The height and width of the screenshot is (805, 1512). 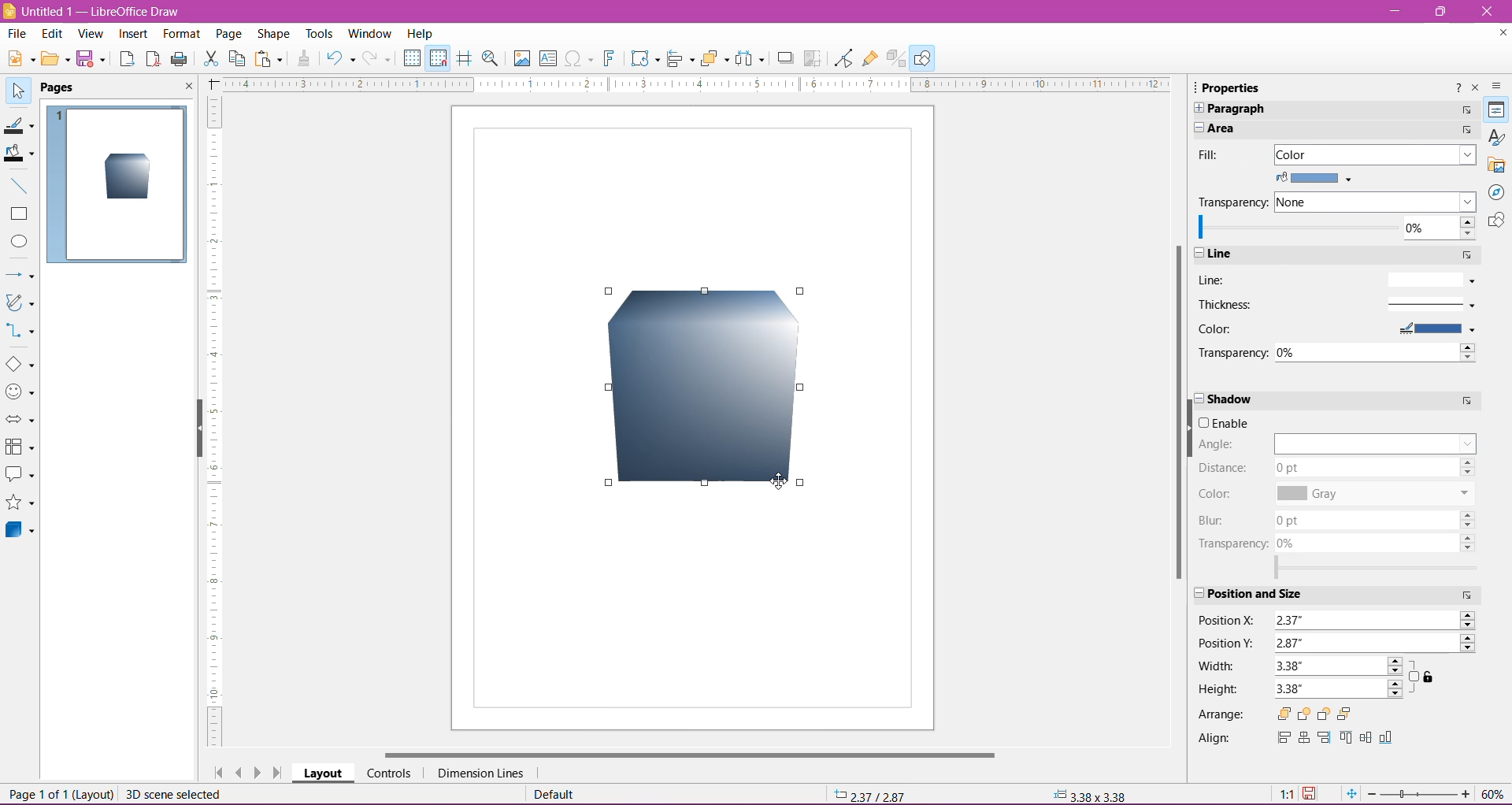 What do you see at coordinates (871, 793) in the screenshot?
I see `Cursor Position` at bounding box center [871, 793].